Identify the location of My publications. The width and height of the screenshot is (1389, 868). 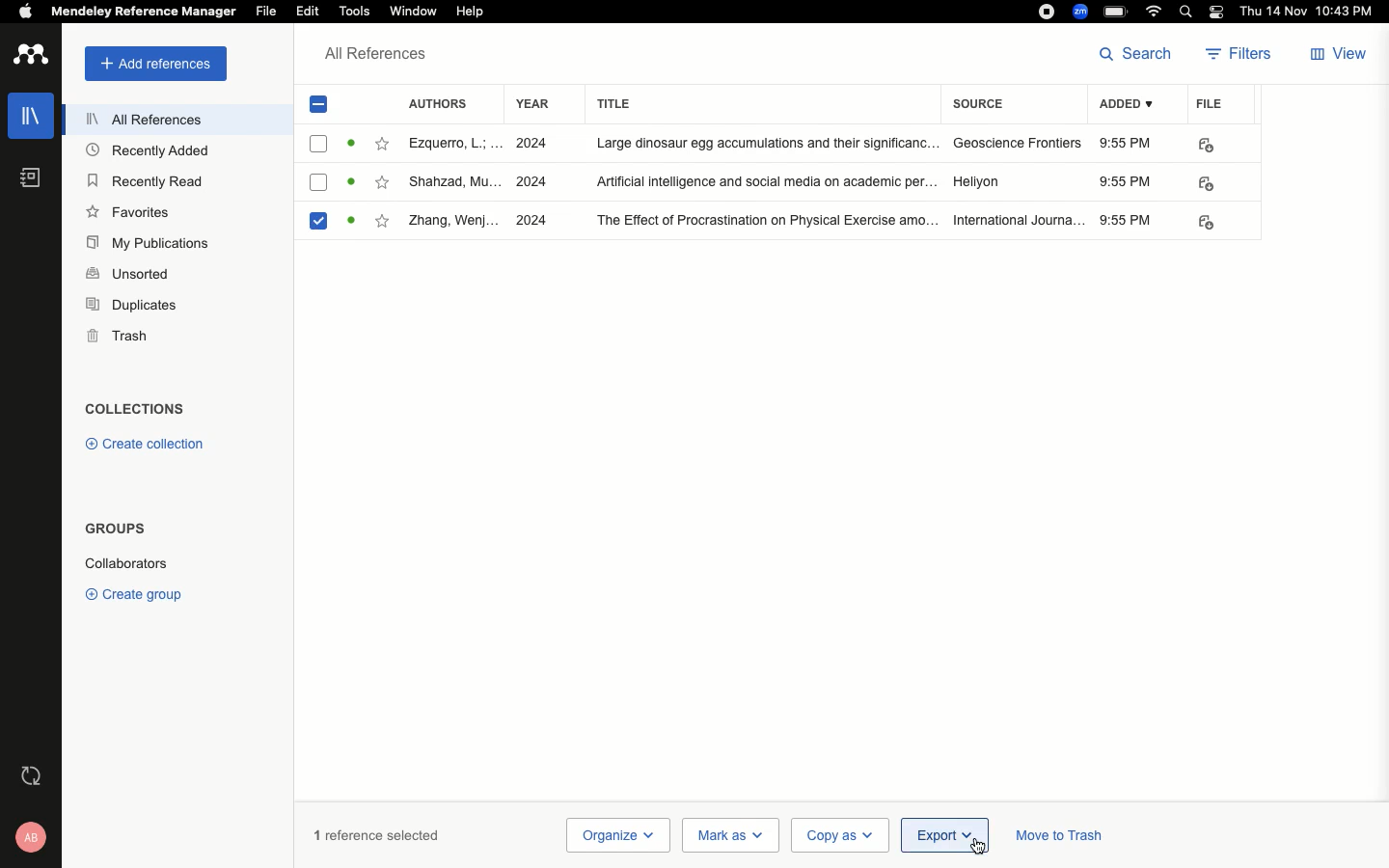
(152, 244).